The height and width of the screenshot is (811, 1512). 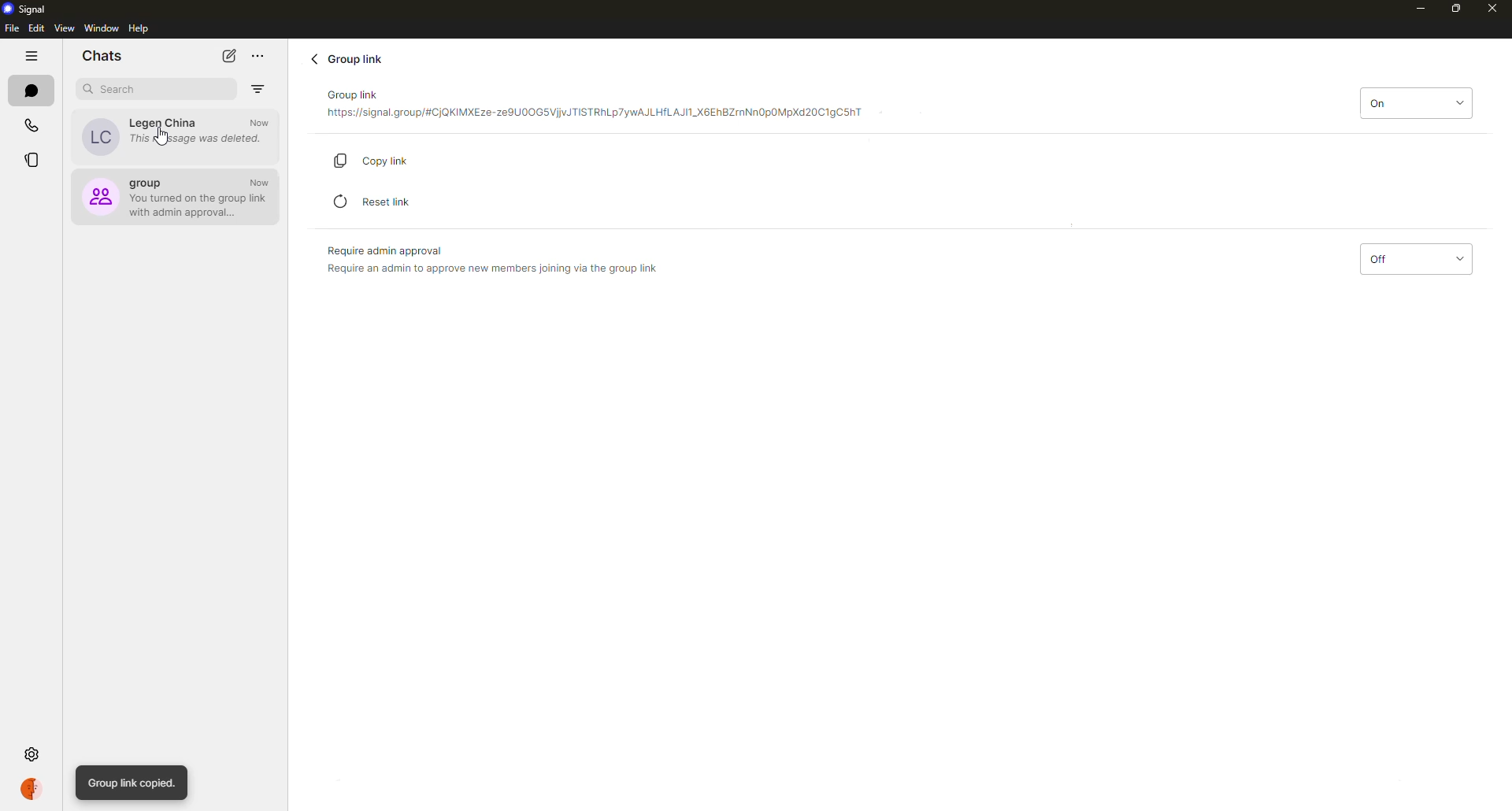 What do you see at coordinates (258, 89) in the screenshot?
I see `filter` at bounding box center [258, 89].